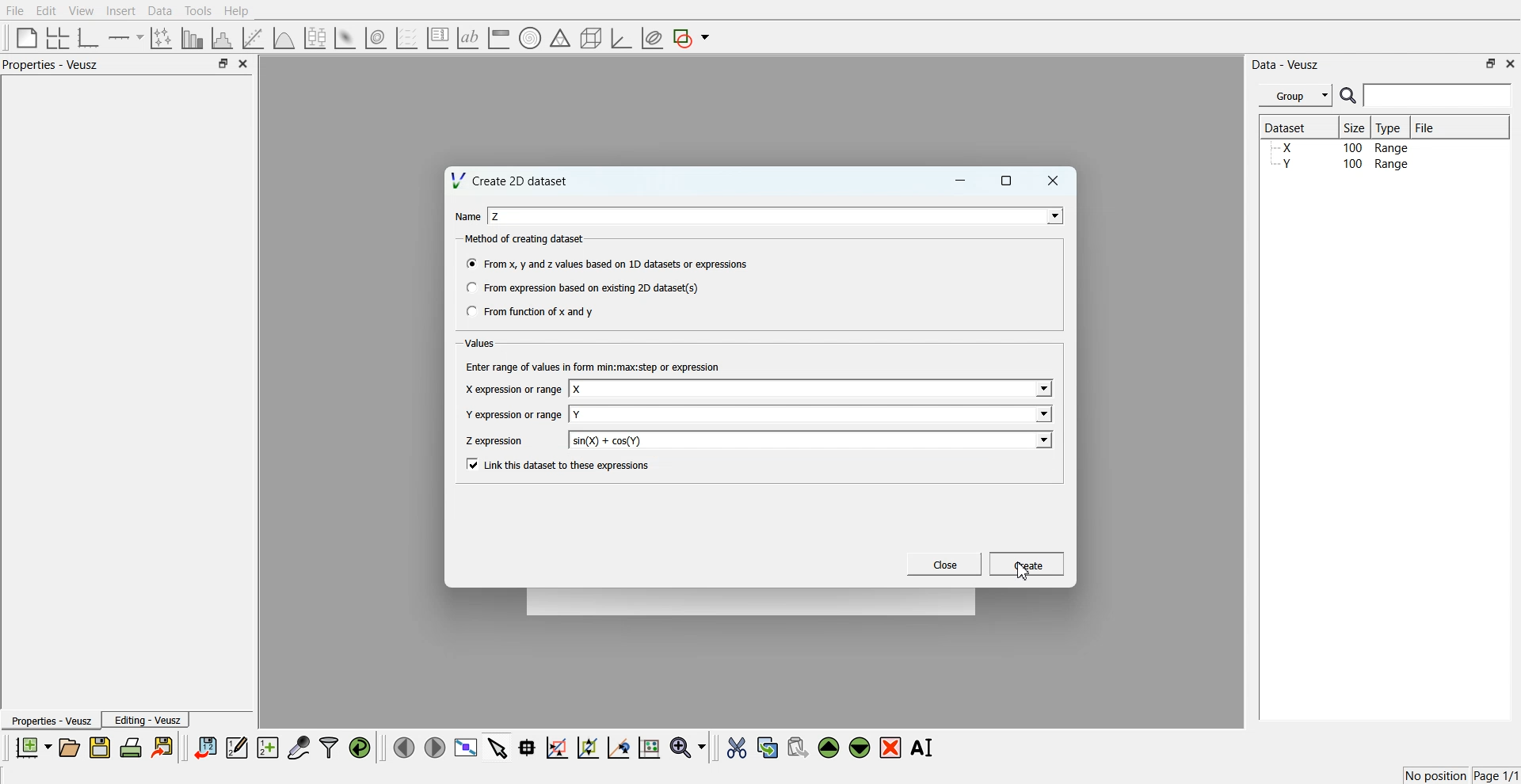 The image size is (1521, 784). What do you see at coordinates (1043, 440) in the screenshot?
I see `Drop down` at bounding box center [1043, 440].